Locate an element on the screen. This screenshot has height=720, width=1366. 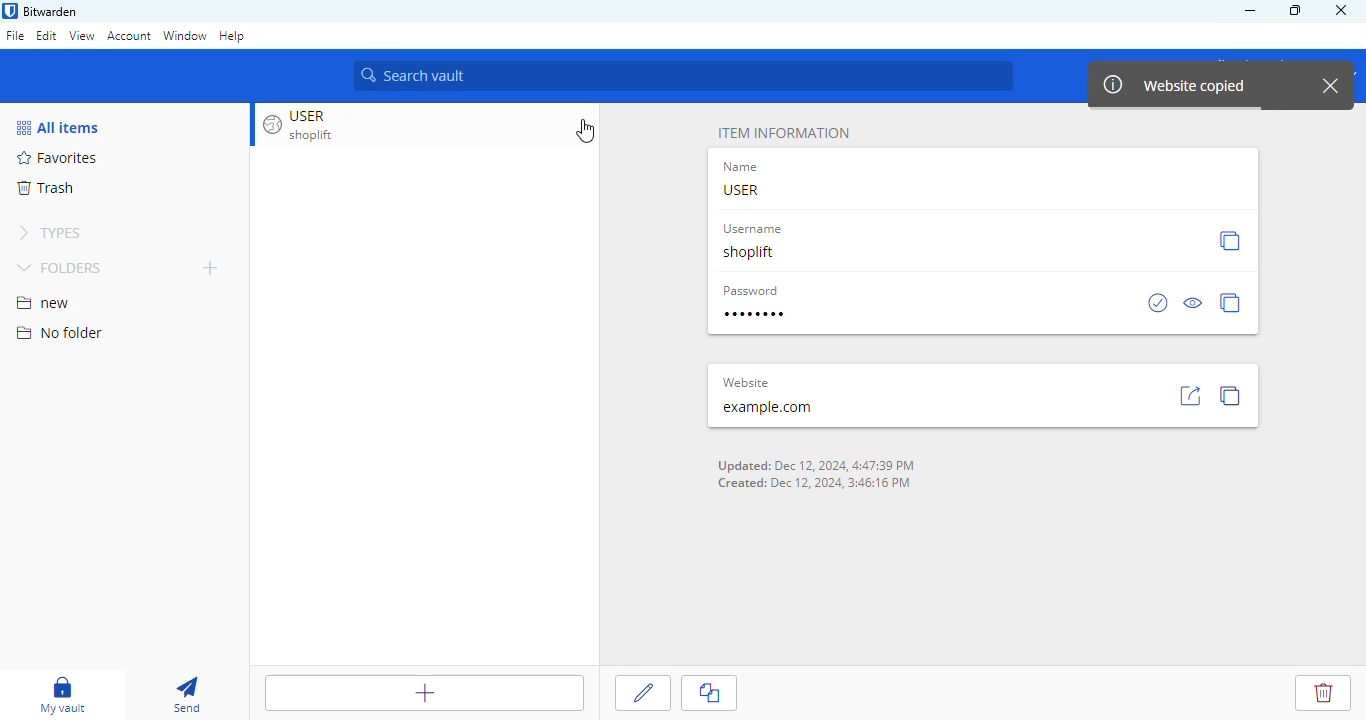
item information is located at coordinates (783, 133).